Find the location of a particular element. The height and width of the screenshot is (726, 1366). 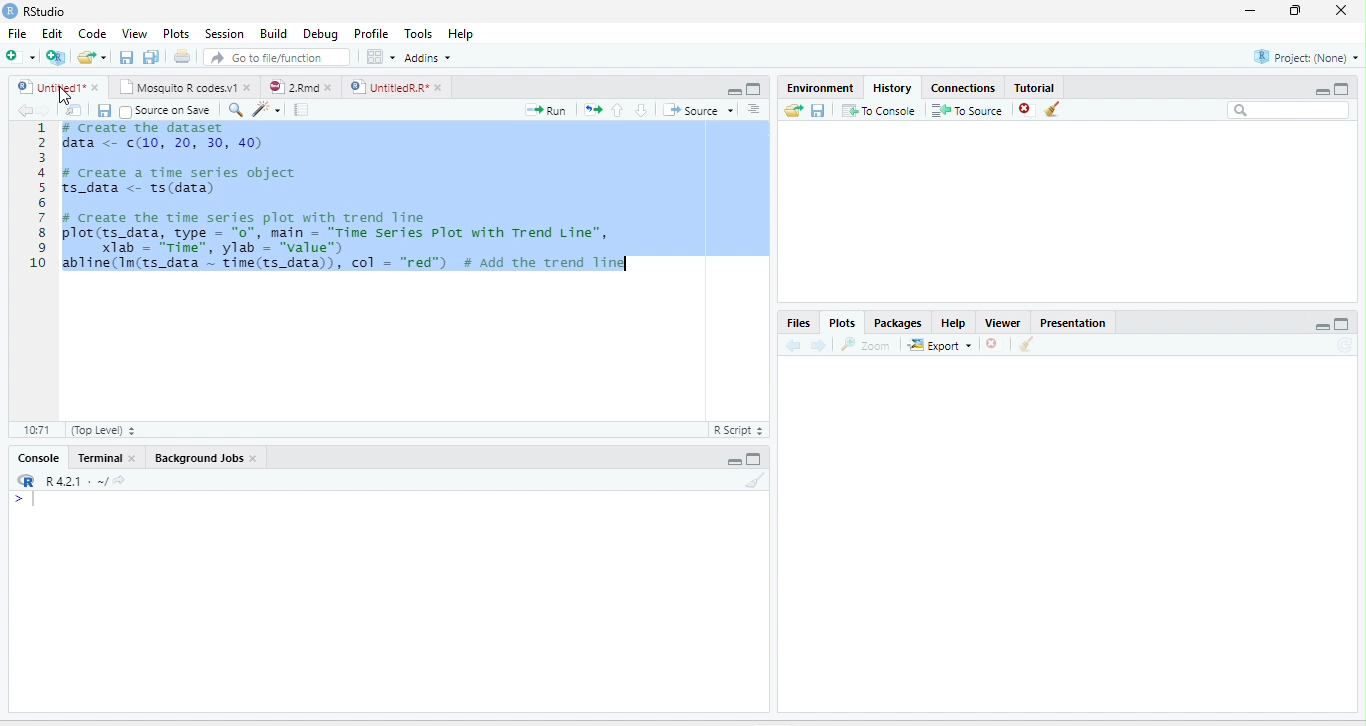

UntitledR.R* is located at coordinates (388, 87).